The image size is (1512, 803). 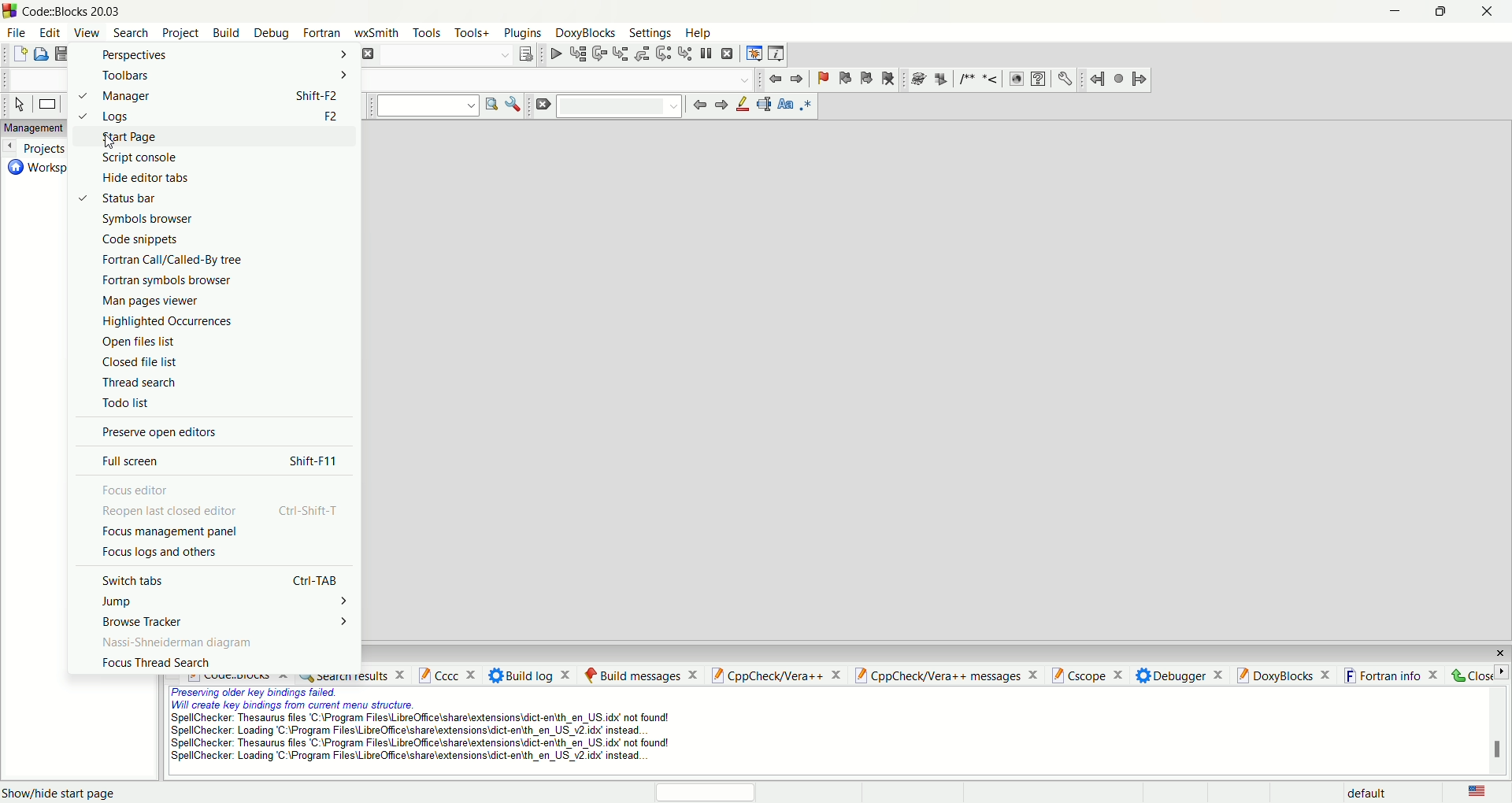 What do you see at coordinates (213, 460) in the screenshot?
I see `full screen` at bounding box center [213, 460].